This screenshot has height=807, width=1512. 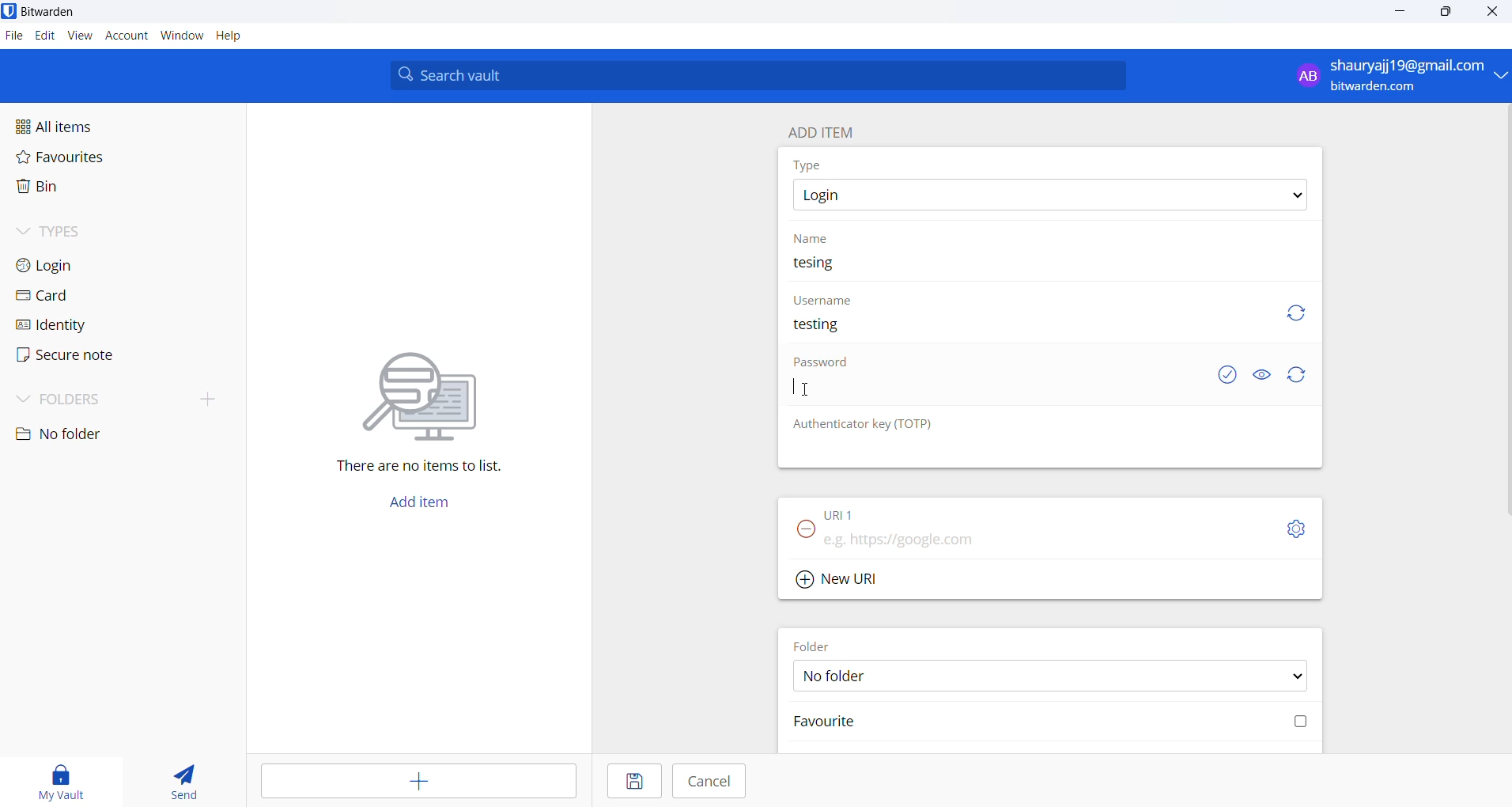 What do you see at coordinates (819, 643) in the screenshot?
I see `FOLDER HEADING` at bounding box center [819, 643].